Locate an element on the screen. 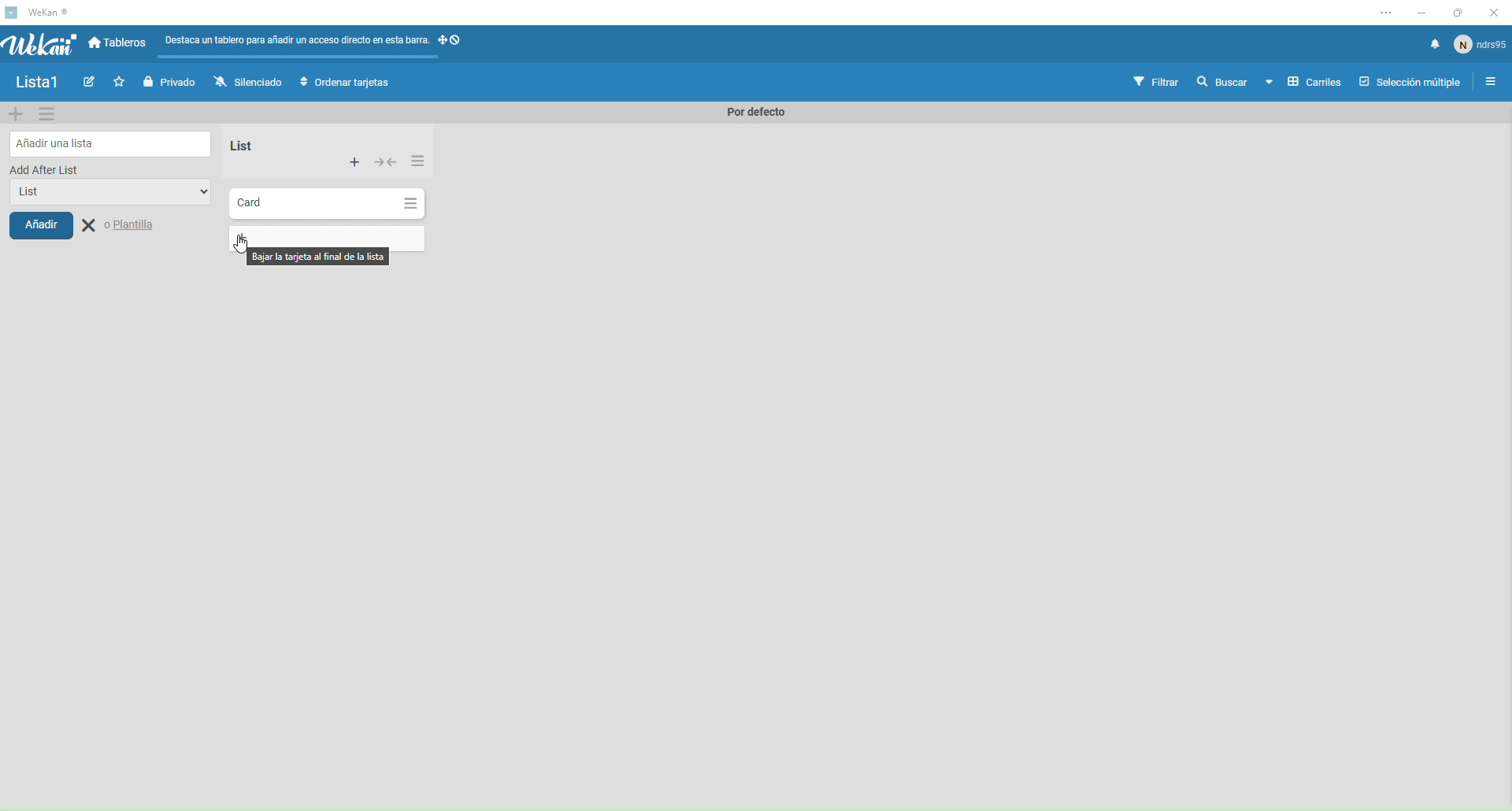  Add is located at coordinates (41, 224).